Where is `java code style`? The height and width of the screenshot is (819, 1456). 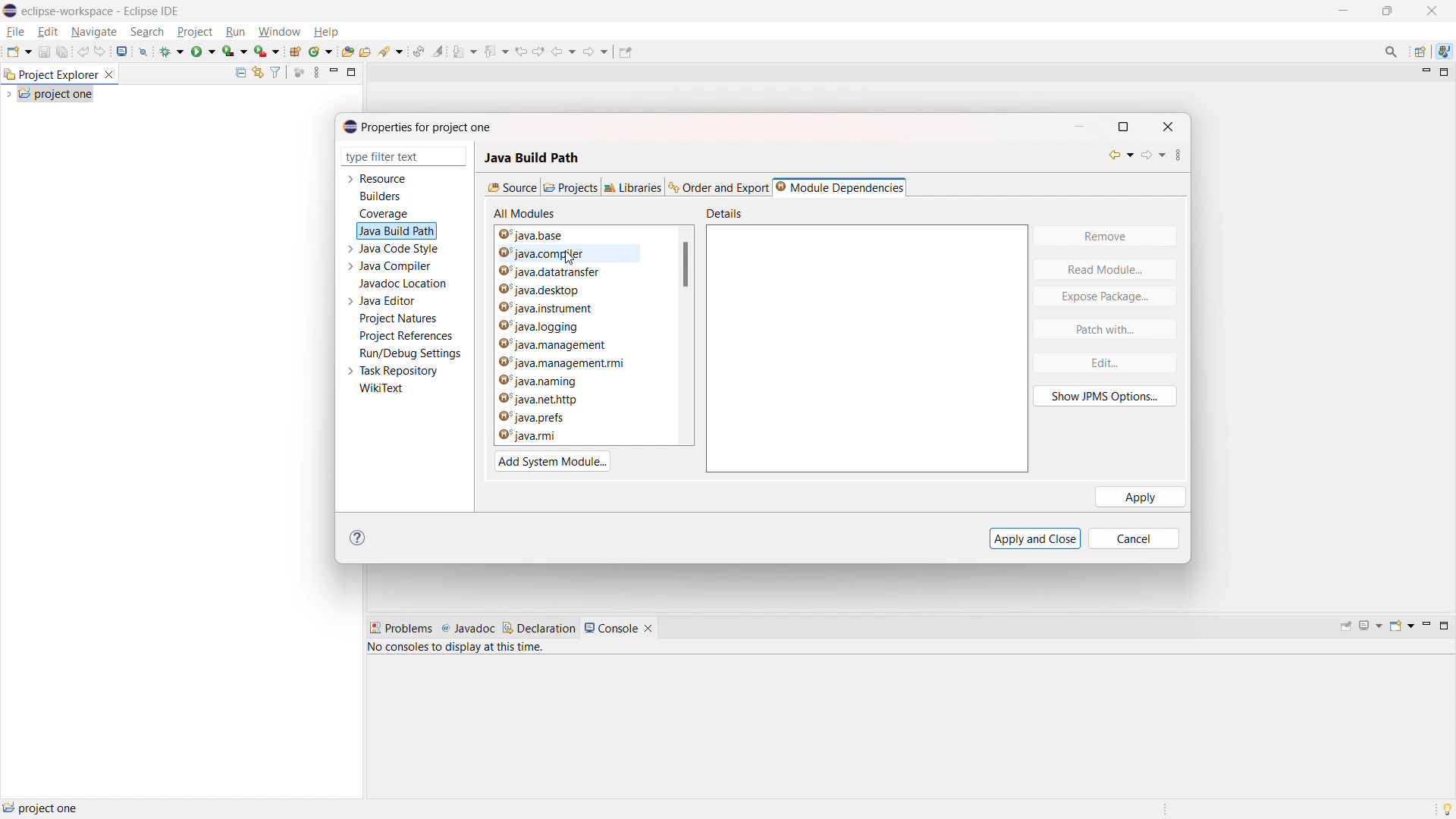
java code style is located at coordinates (400, 249).